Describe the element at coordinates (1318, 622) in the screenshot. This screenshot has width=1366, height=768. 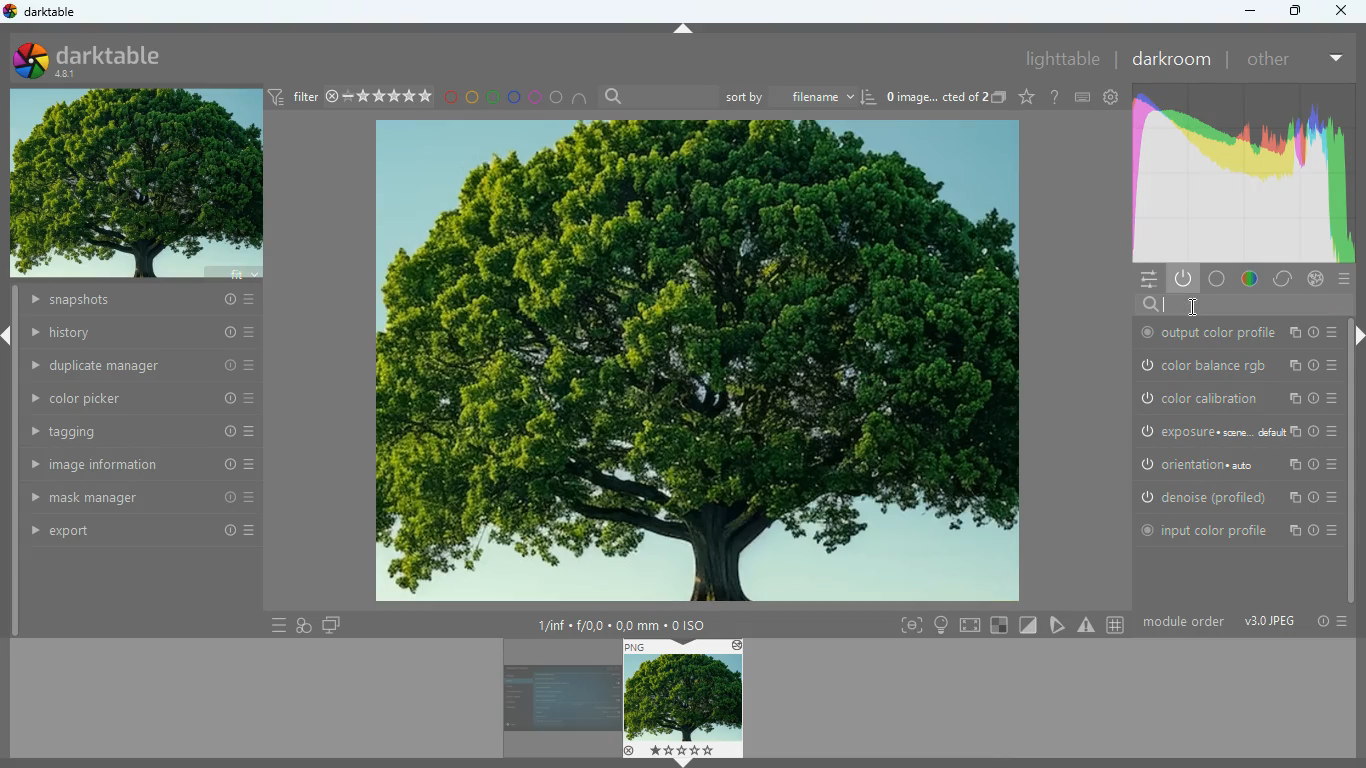
I see `info` at that location.